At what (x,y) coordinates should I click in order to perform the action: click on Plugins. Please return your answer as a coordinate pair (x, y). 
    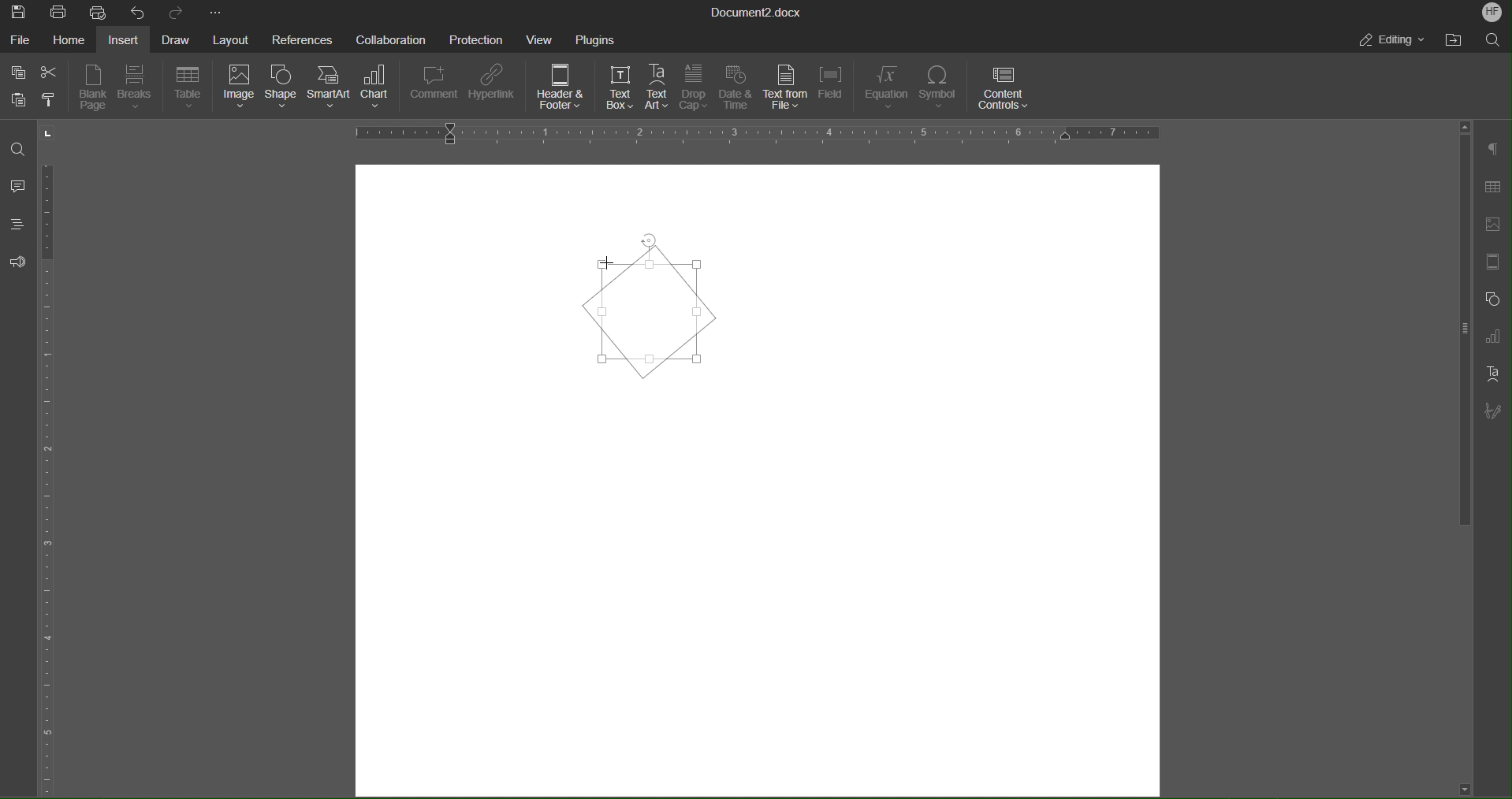
    Looking at the image, I should click on (596, 38).